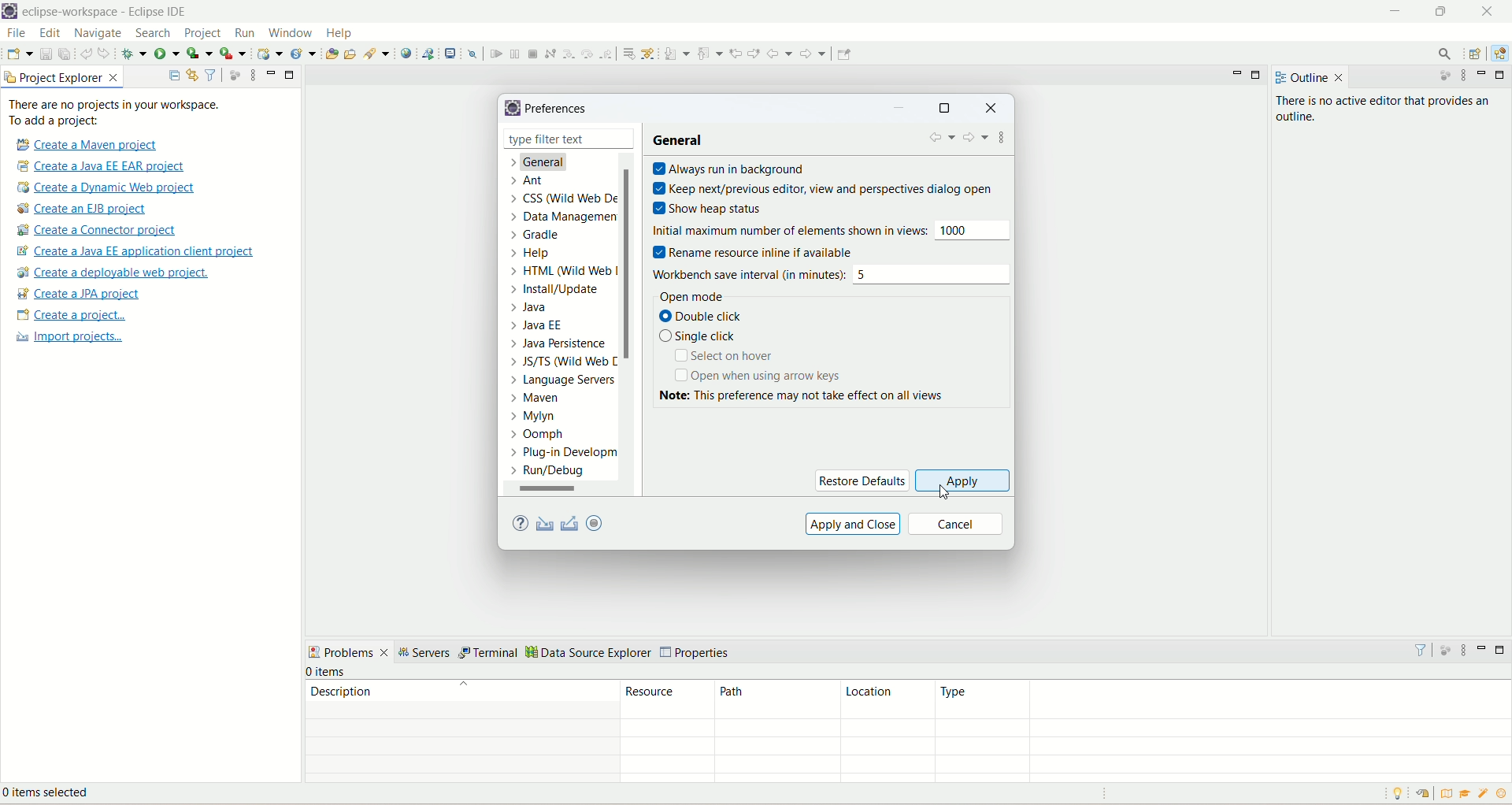 Image resolution: width=1512 pixels, height=805 pixels. I want to click on minimize, so click(902, 109).